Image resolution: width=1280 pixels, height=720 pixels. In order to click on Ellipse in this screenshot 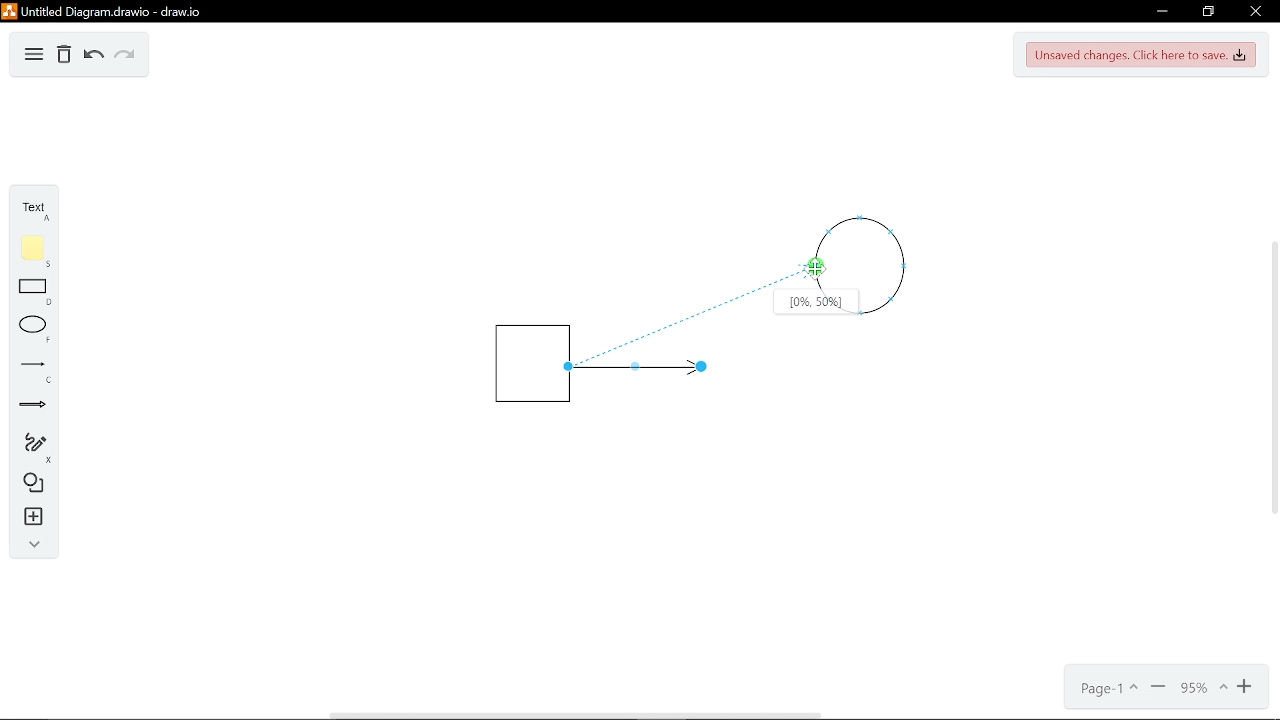, I will do `click(29, 330)`.